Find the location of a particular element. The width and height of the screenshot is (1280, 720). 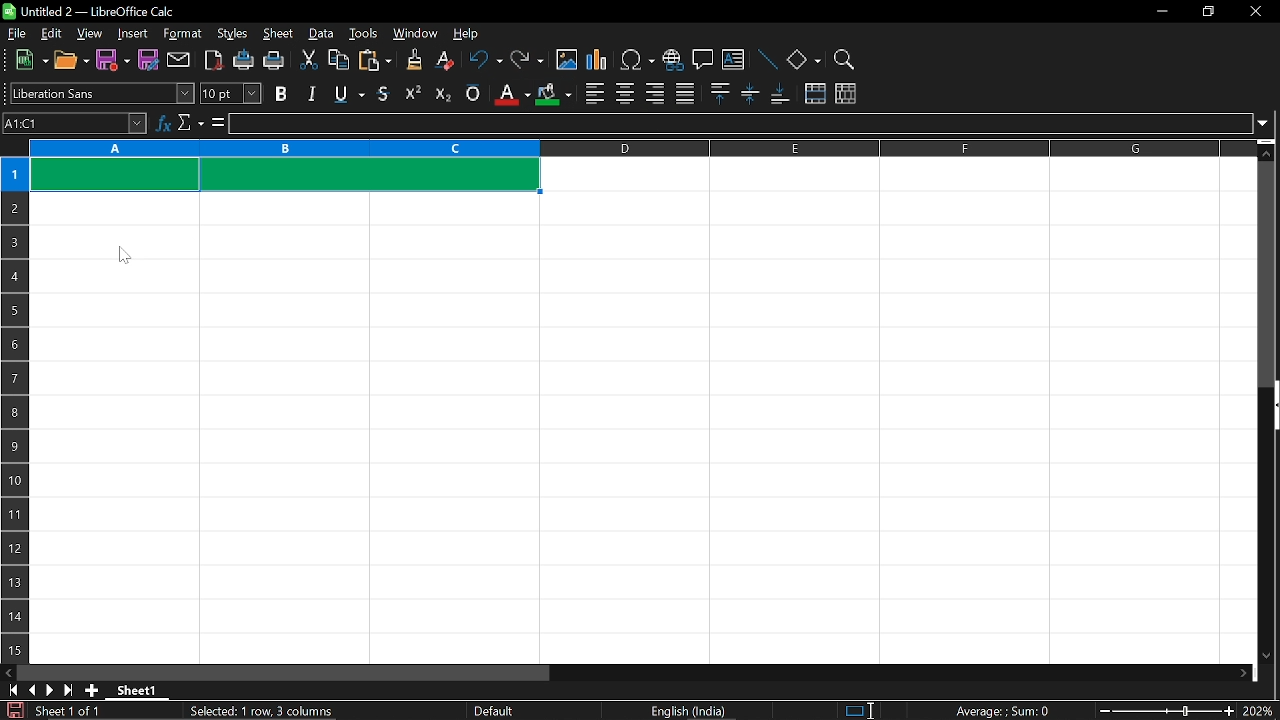

unmerge cells is located at coordinates (846, 95).